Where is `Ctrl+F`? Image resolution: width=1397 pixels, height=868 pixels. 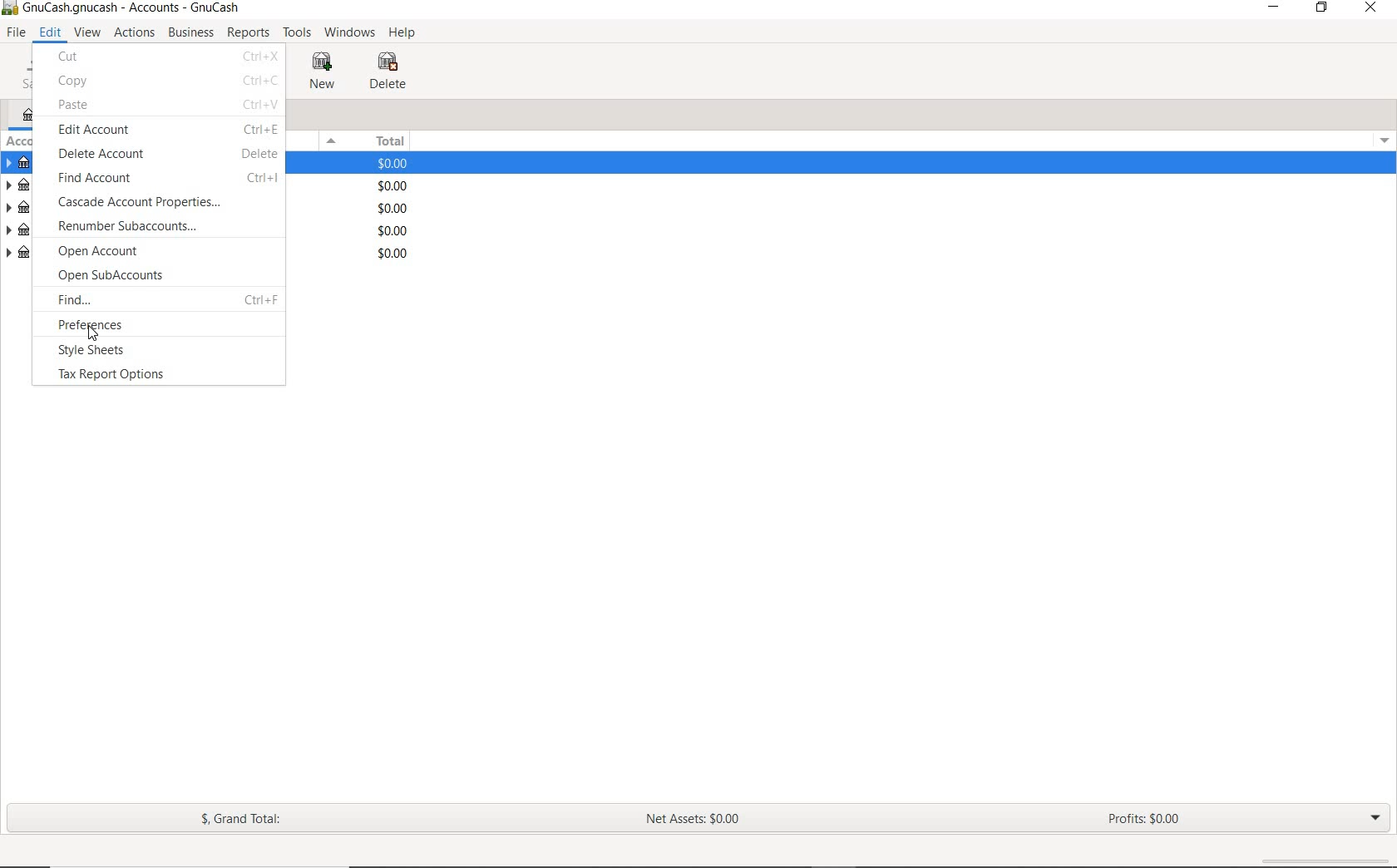 Ctrl+F is located at coordinates (259, 298).